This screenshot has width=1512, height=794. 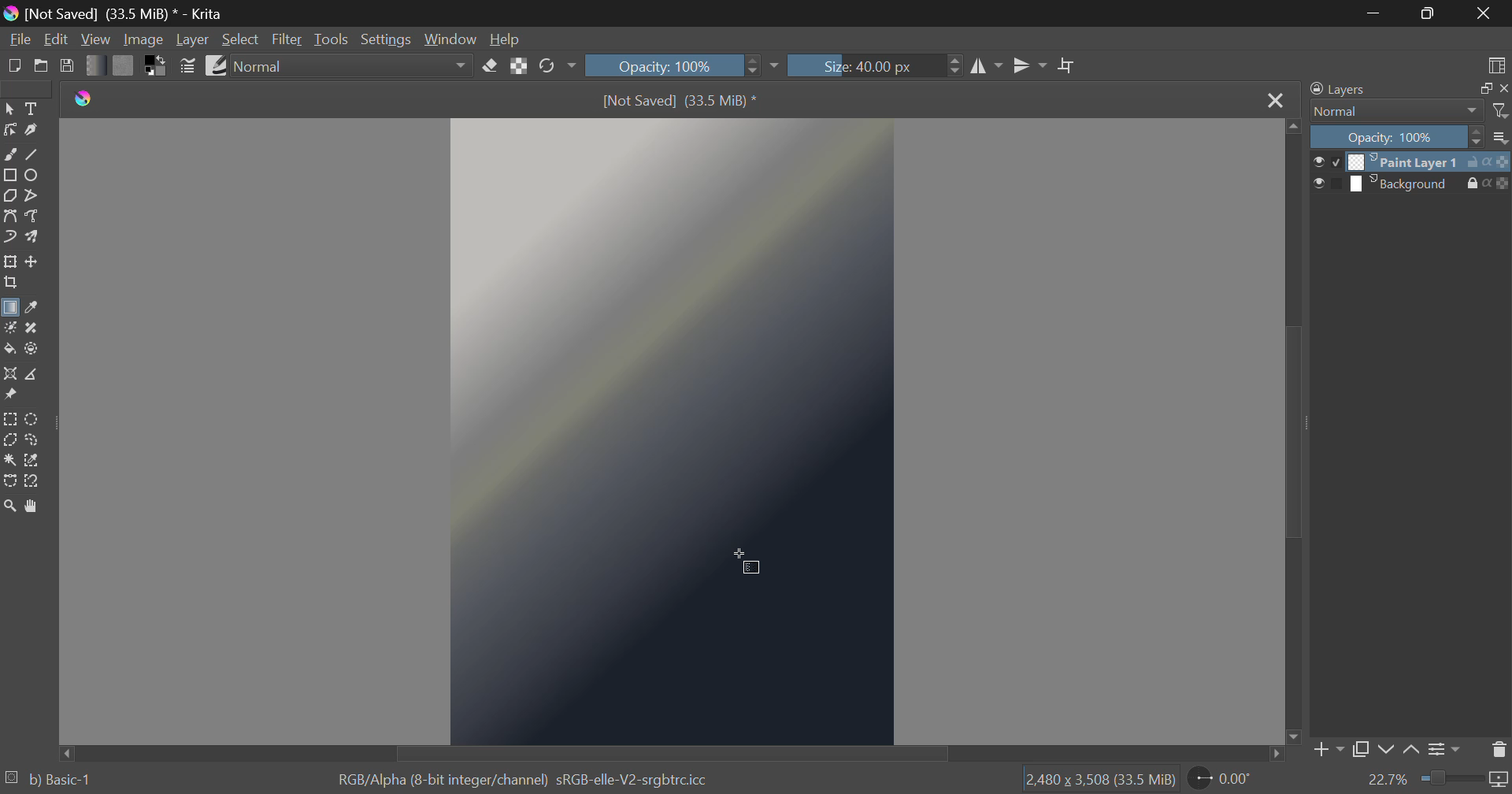 What do you see at coordinates (1502, 111) in the screenshot?
I see `filter` at bounding box center [1502, 111].